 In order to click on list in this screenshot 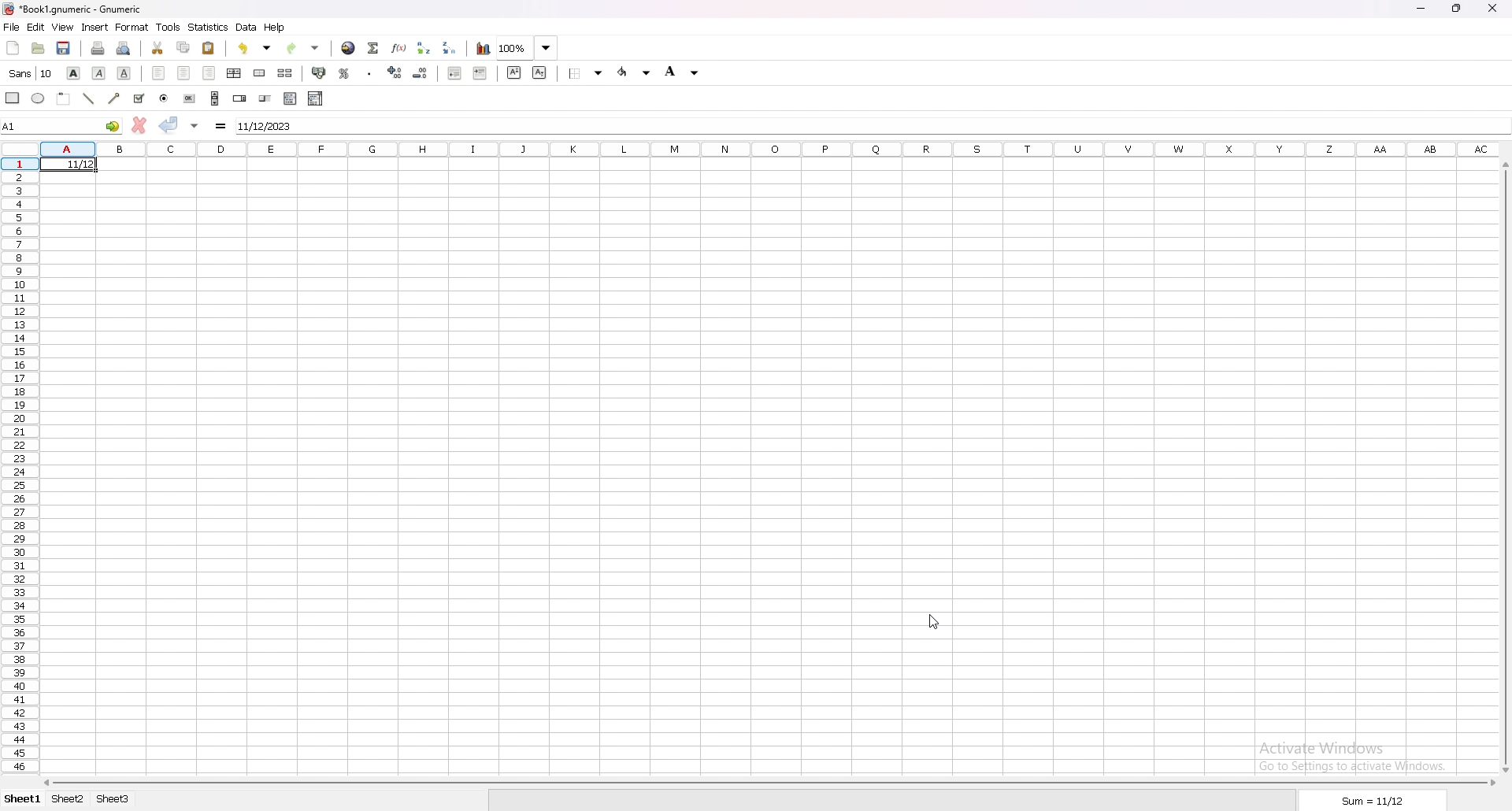, I will do `click(291, 99)`.